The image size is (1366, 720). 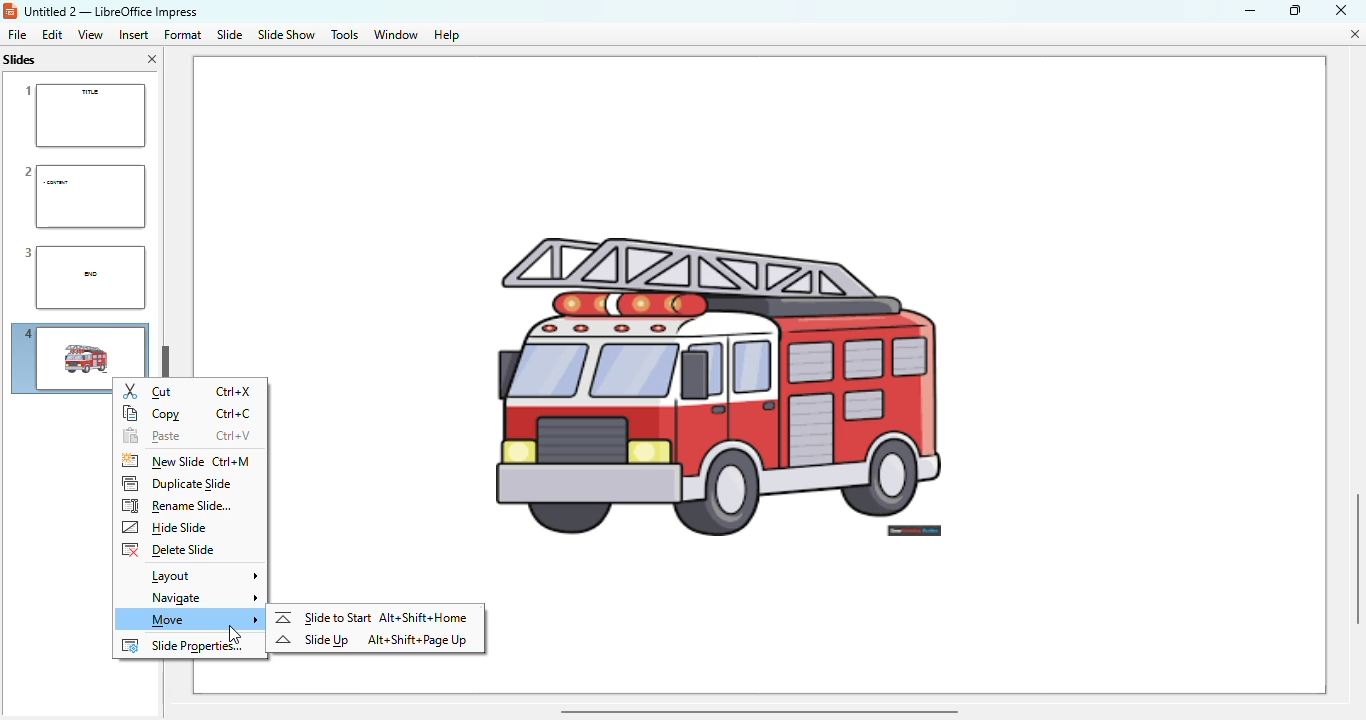 What do you see at coordinates (772, 328) in the screenshot?
I see `image` at bounding box center [772, 328].